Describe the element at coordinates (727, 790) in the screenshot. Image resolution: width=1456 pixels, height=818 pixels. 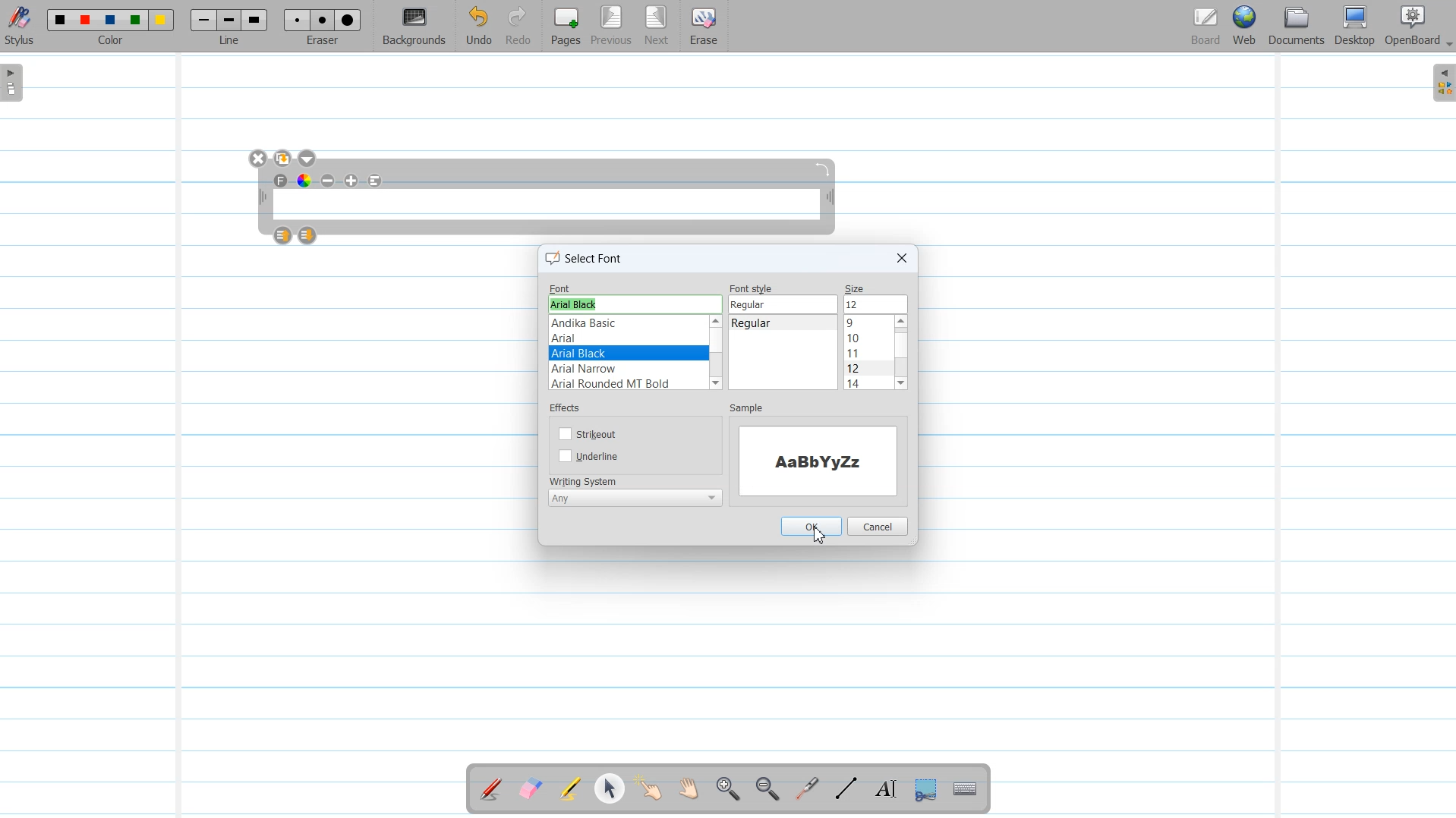
I see `Zoom In` at that location.